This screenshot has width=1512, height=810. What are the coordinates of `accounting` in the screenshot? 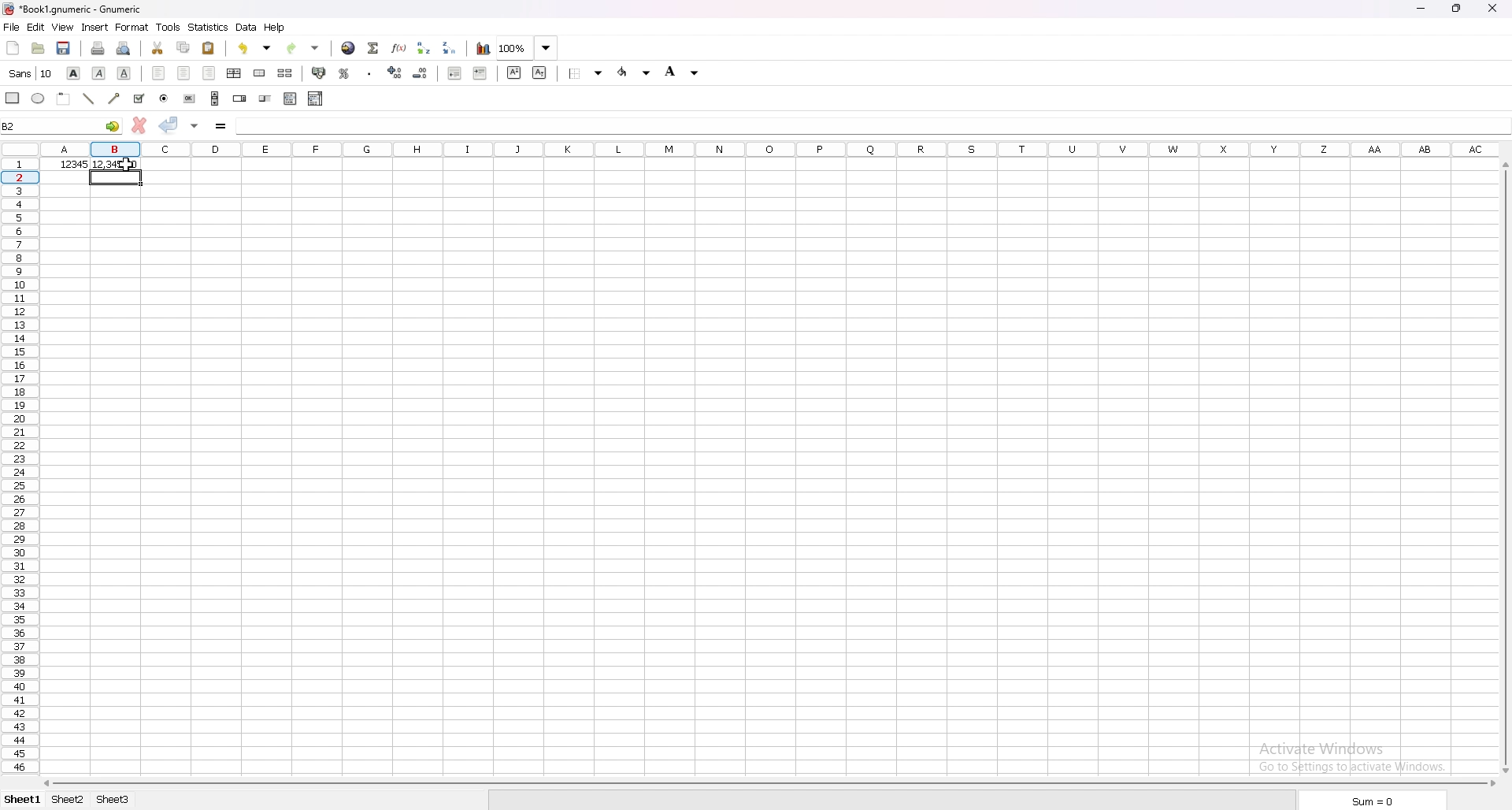 It's located at (319, 73).